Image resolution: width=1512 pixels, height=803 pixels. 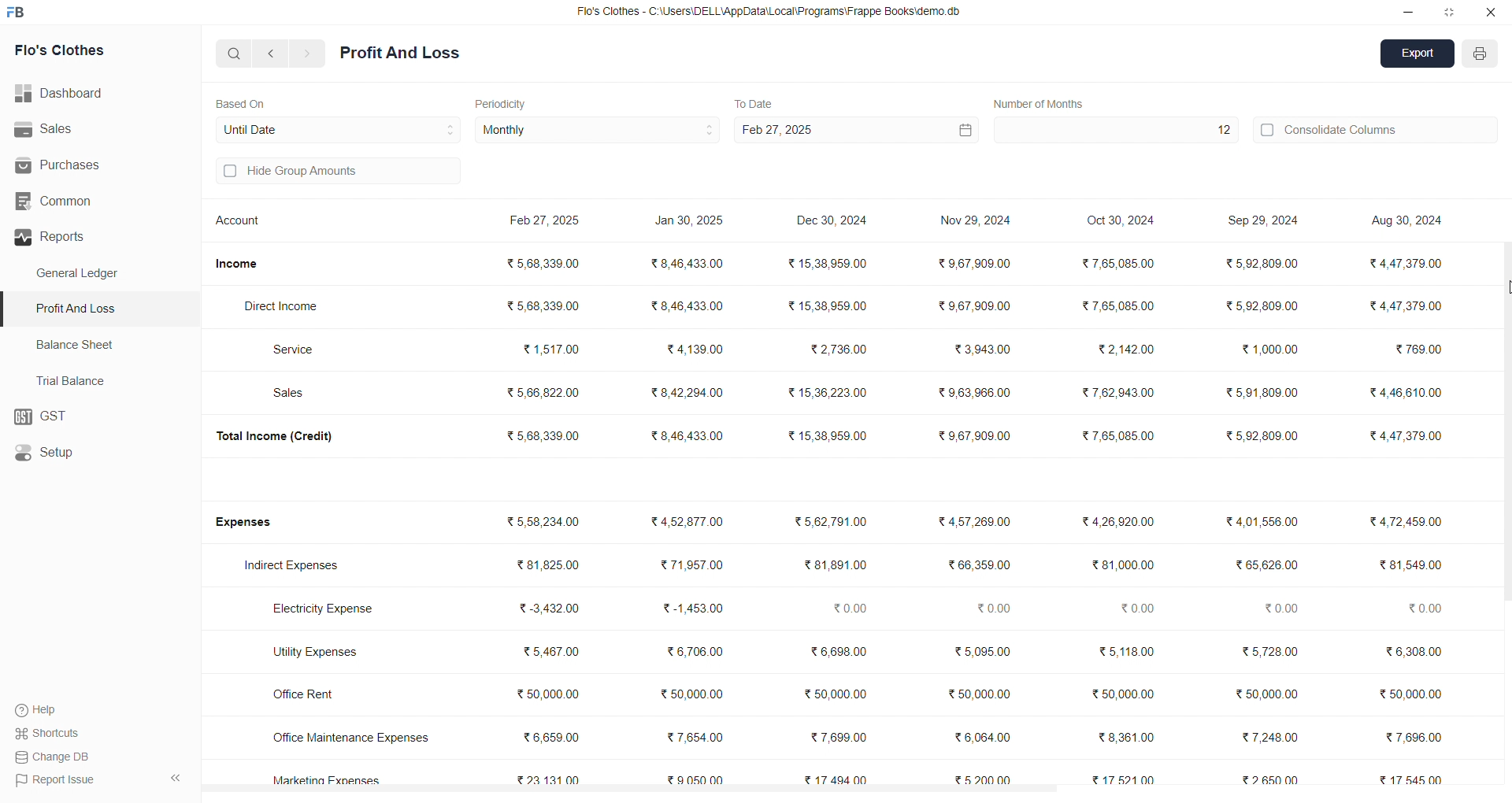 What do you see at coordinates (1123, 564) in the screenshot?
I see `₹81,000.00` at bounding box center [1123, 564].